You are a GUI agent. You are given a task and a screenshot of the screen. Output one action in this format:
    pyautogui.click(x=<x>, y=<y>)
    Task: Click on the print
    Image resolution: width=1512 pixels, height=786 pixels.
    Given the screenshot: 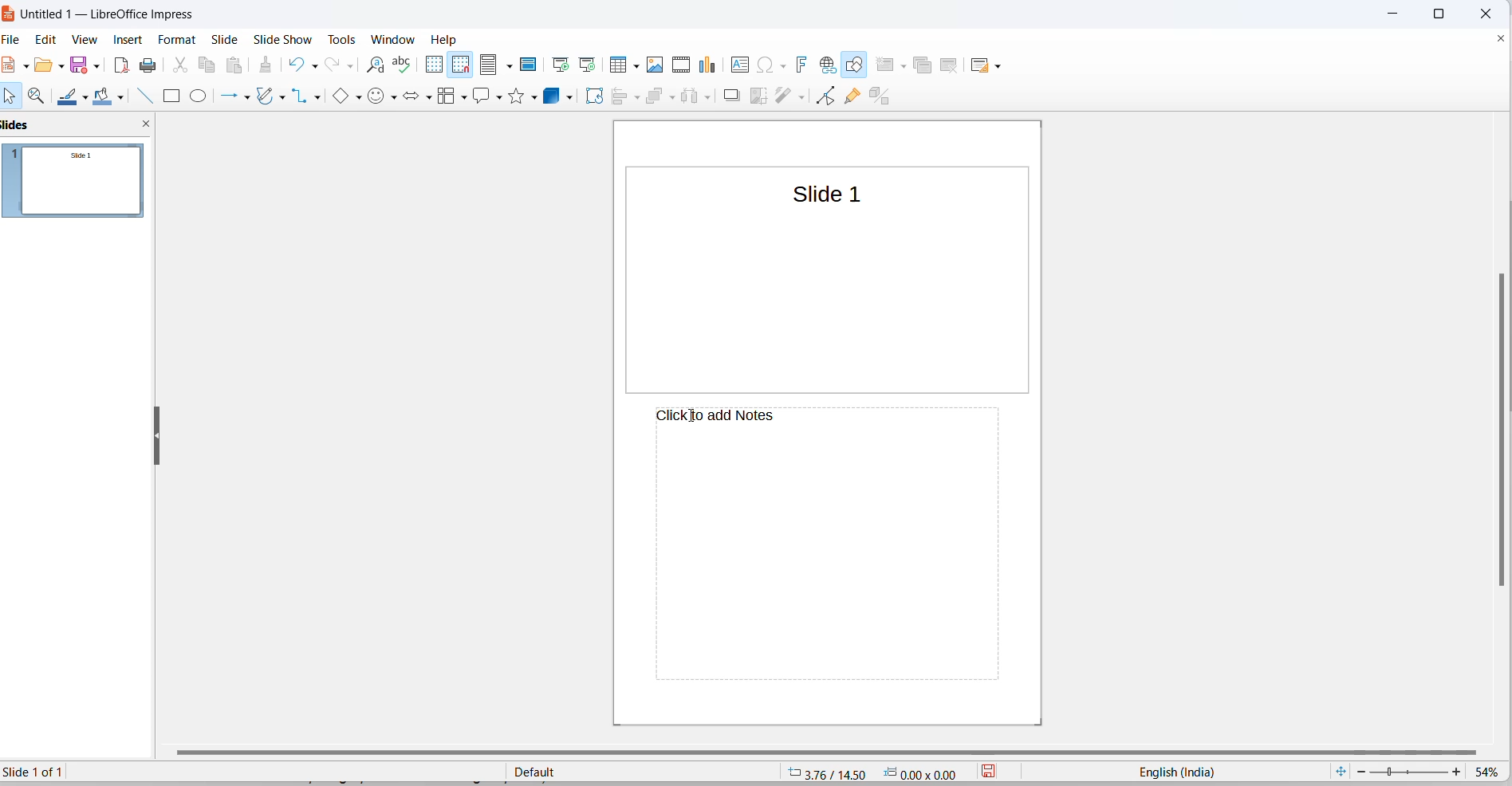 What is the action you would take?
    pyautogui.click(x=149, y=67)
    